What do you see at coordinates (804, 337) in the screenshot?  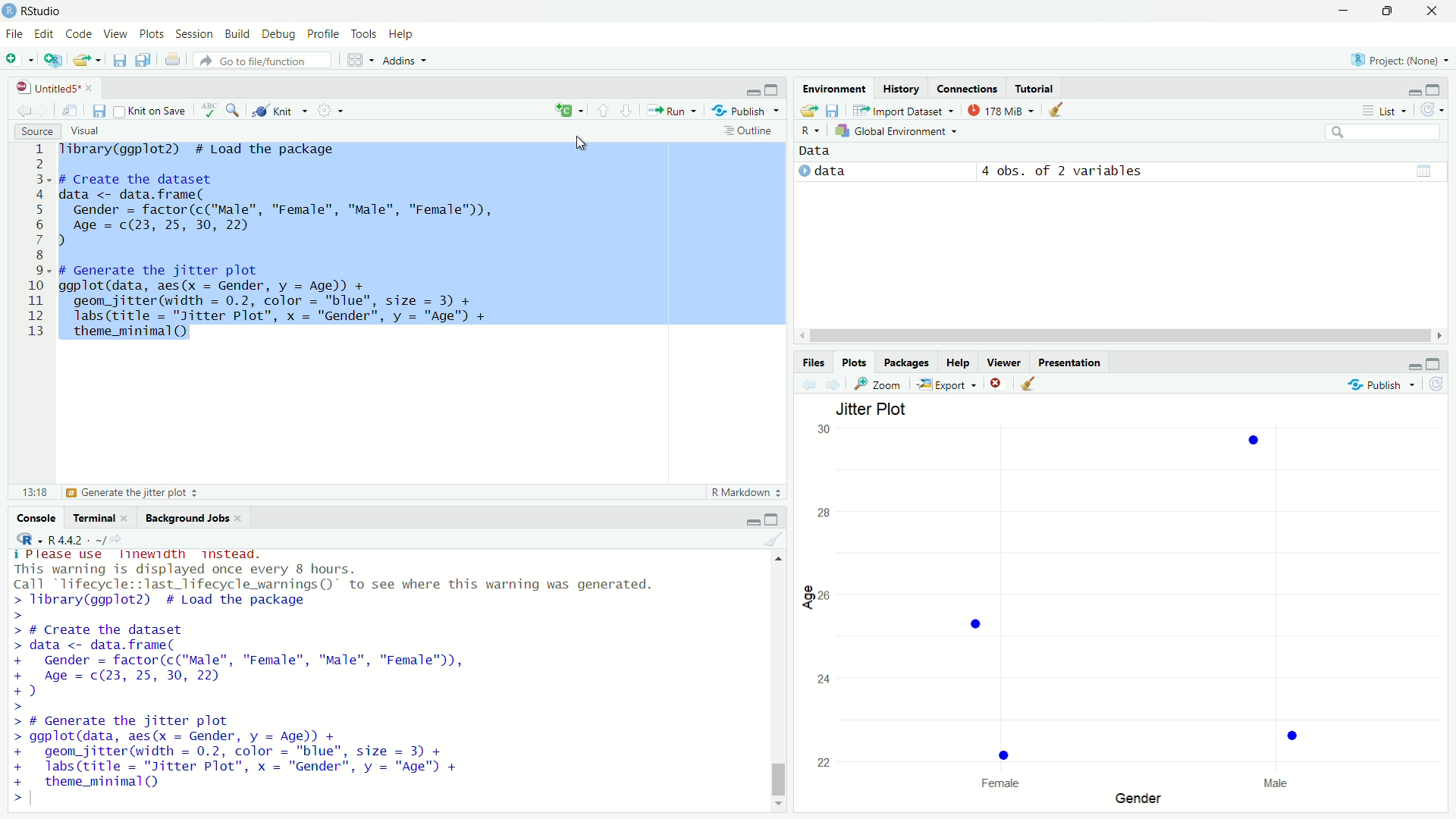 I see `move left` at bounding box center [804, 337].